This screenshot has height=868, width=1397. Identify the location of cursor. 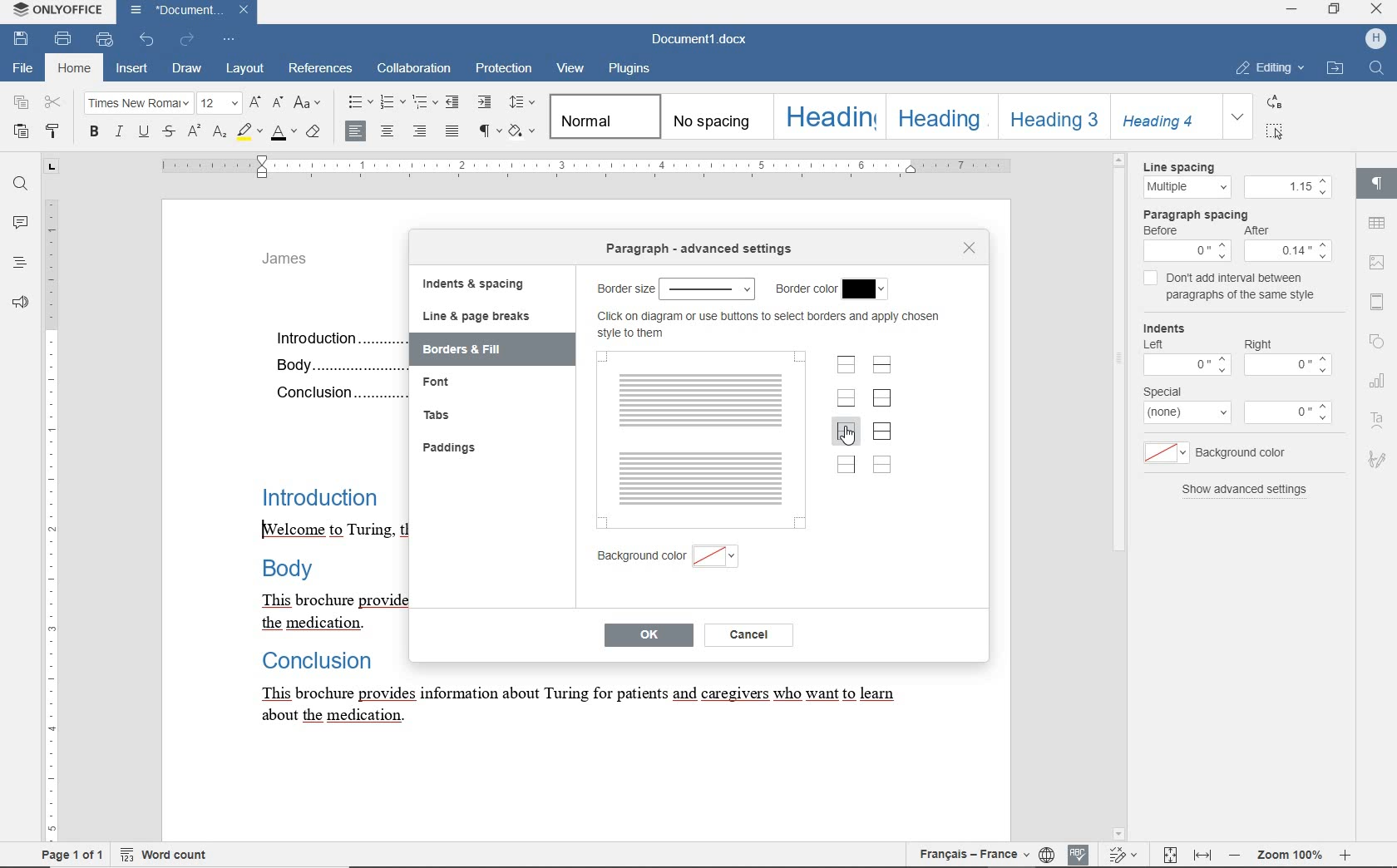
(852, 437).